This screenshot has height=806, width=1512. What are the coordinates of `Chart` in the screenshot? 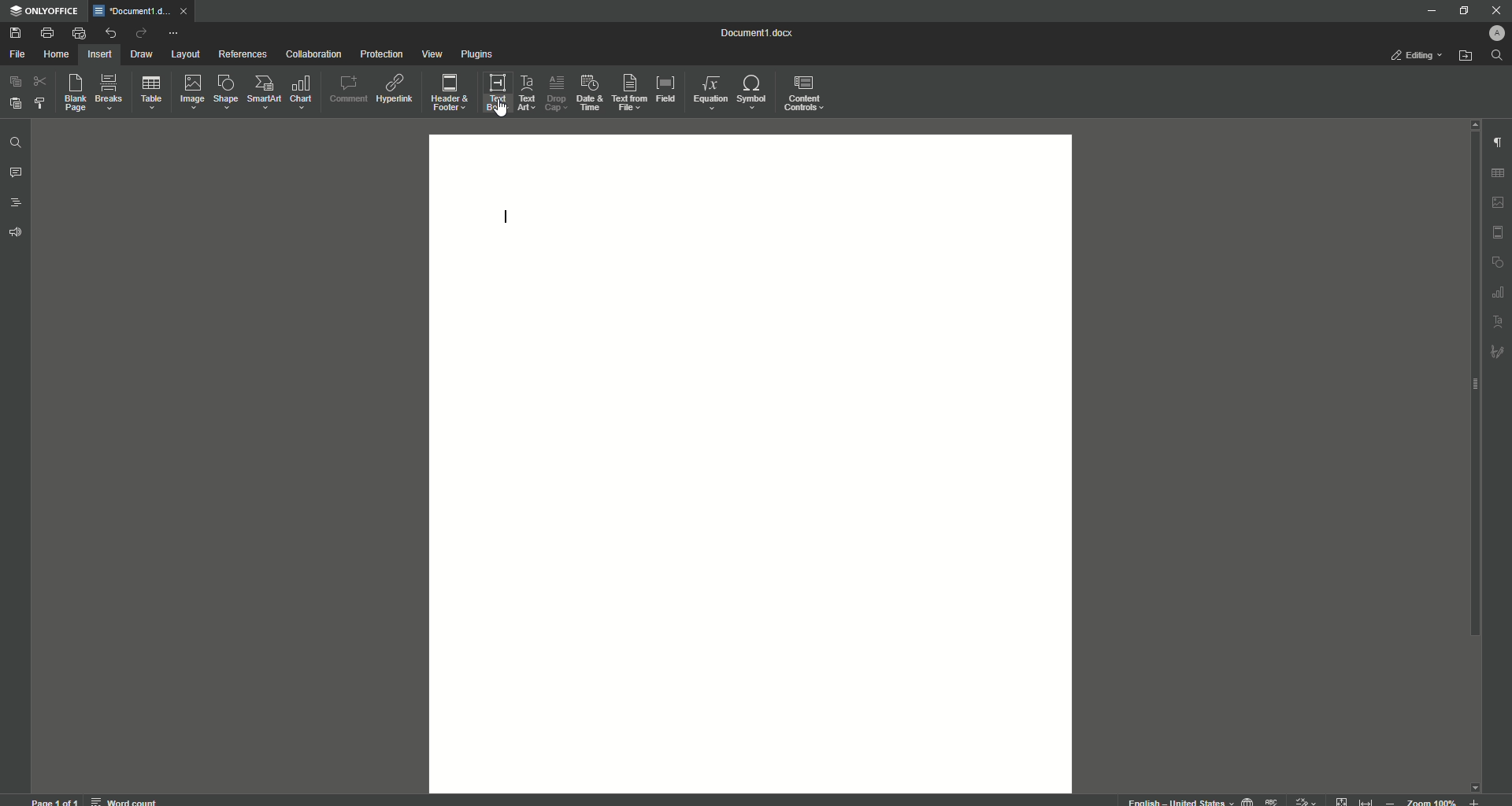 It's located at (302, 92).